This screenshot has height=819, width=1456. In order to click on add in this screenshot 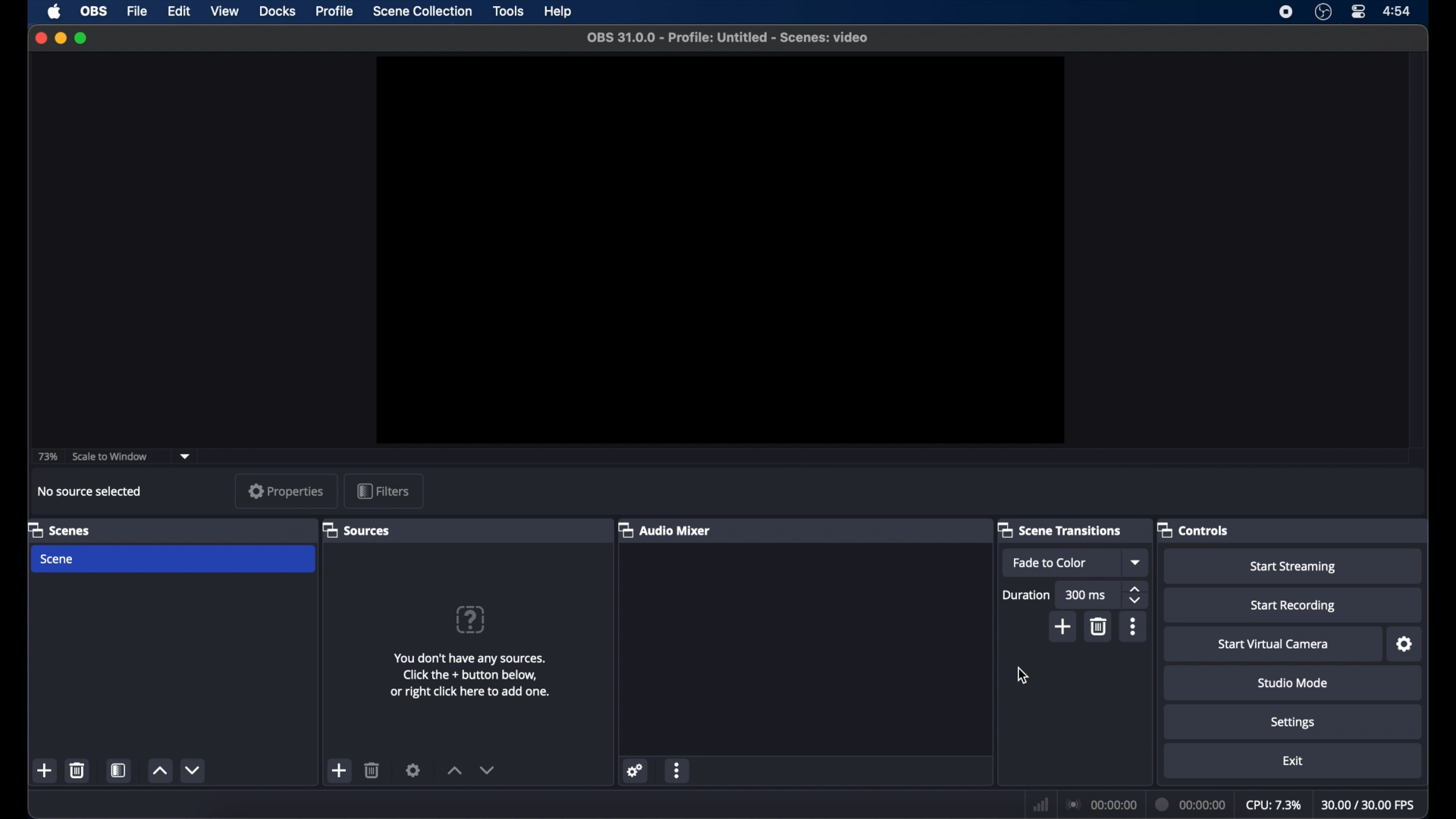, I will do `click(1062, 623)`.